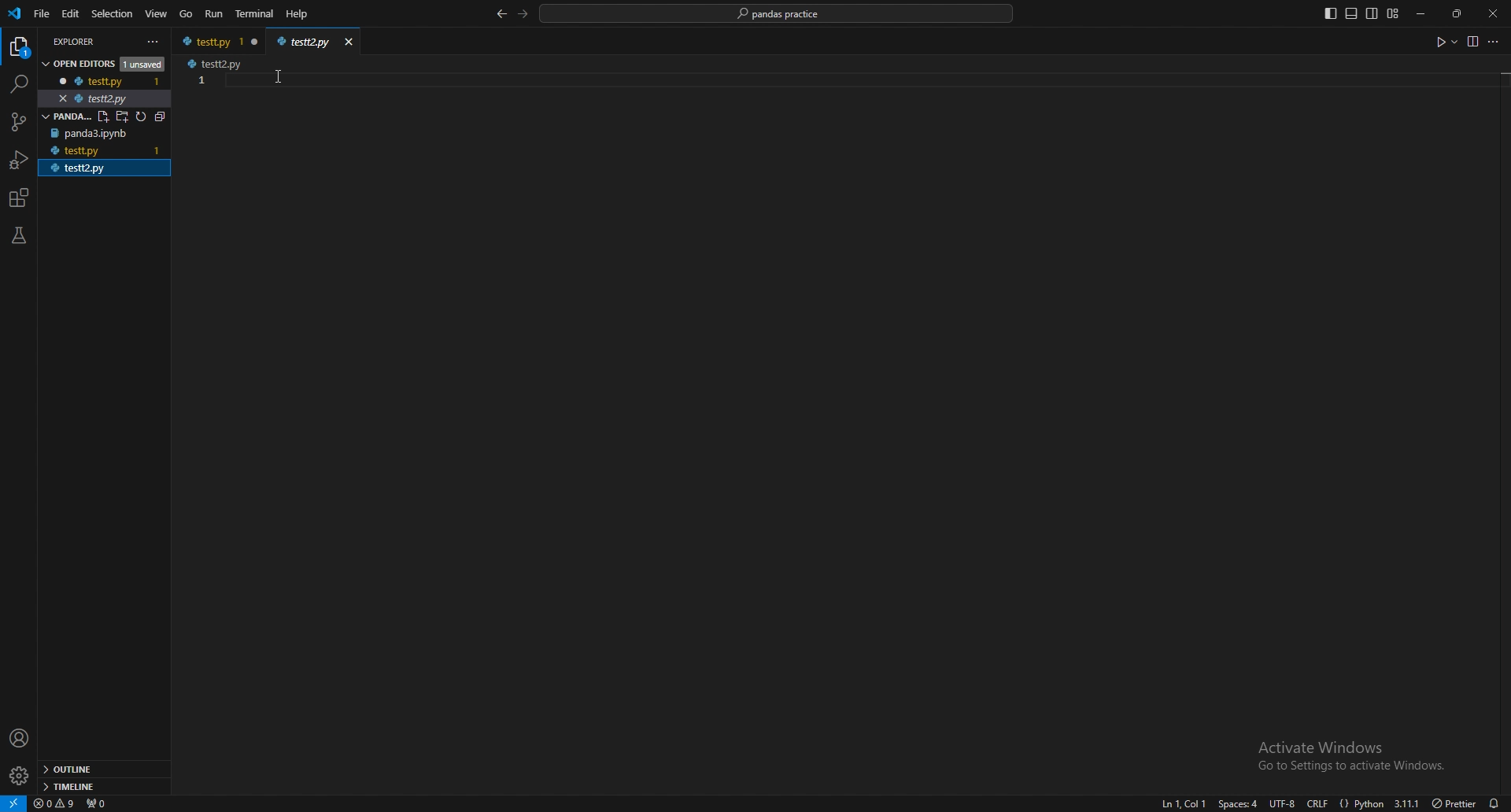  I want to click on utf-8, so click(1280, 803).